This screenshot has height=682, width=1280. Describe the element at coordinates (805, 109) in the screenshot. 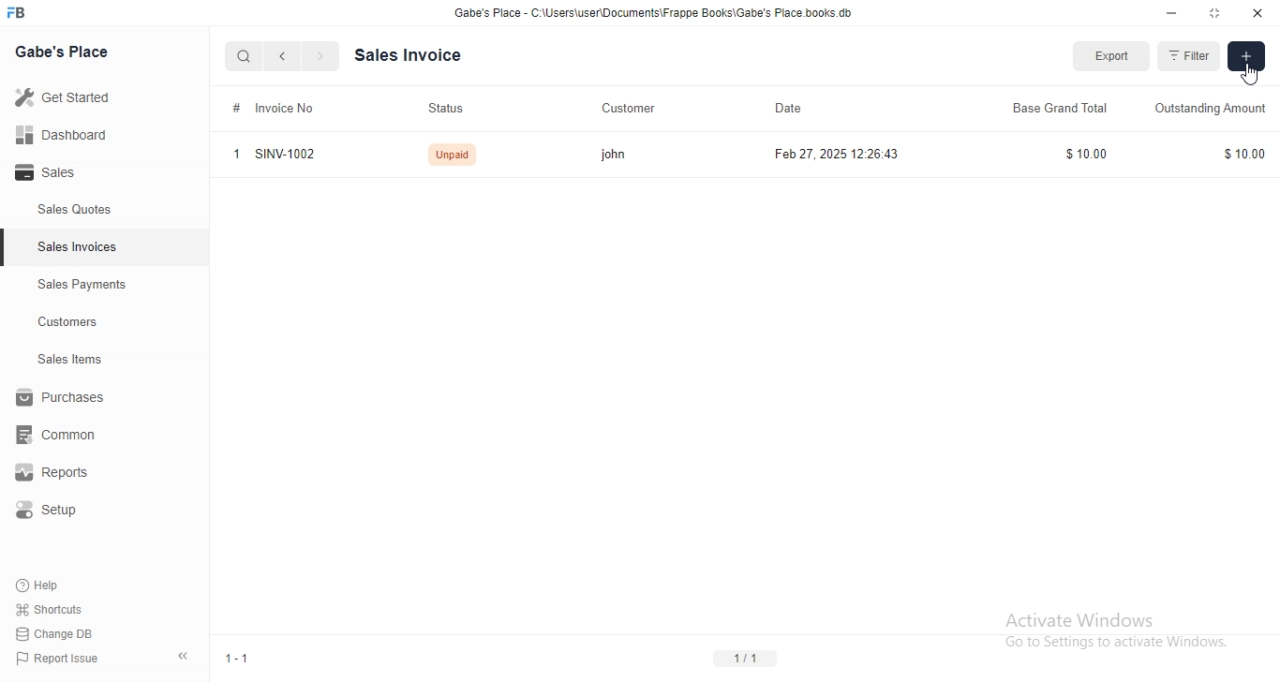

I see `Date` at that location.